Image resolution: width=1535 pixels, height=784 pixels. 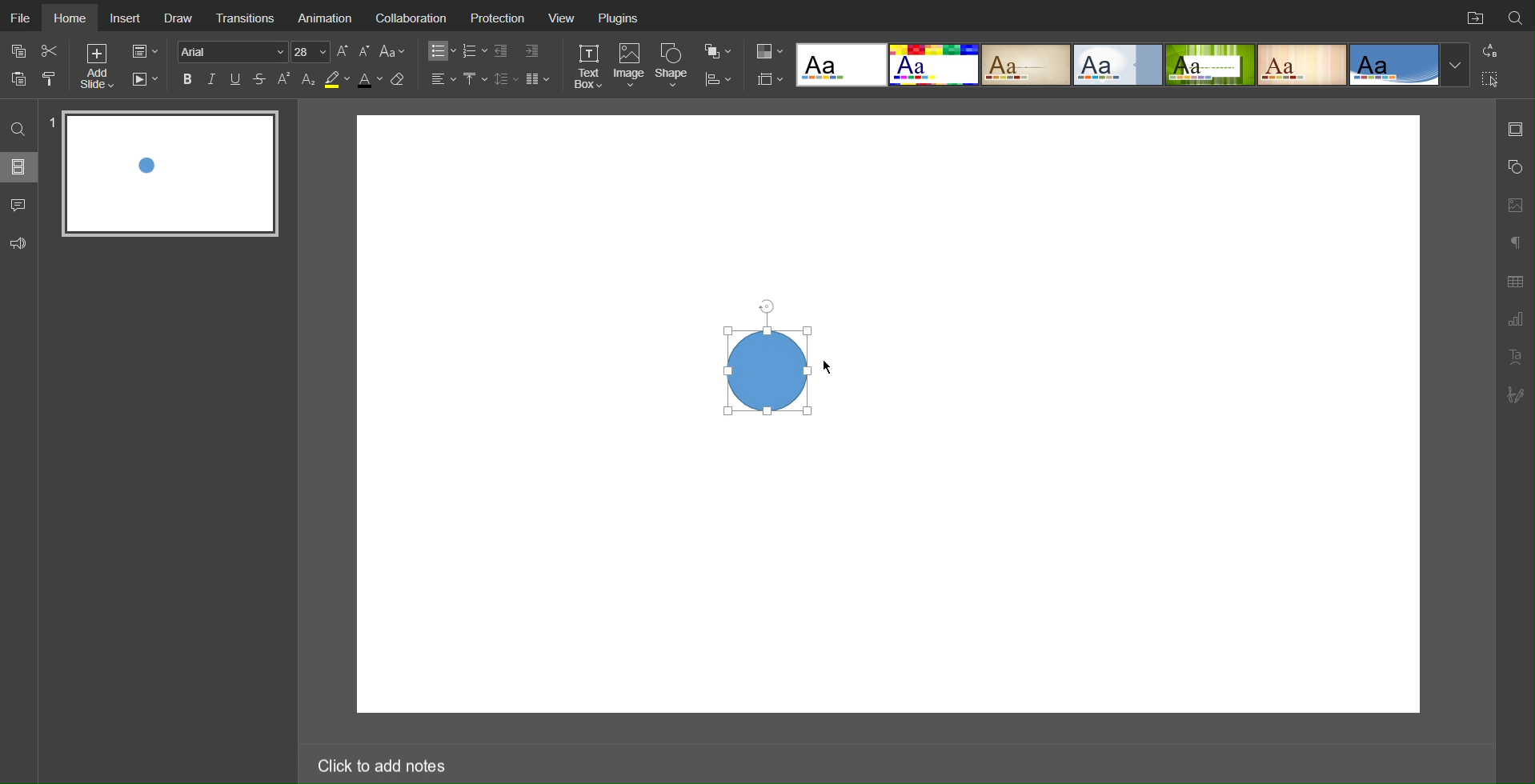 I want to click on Signature , so click(x=1517, y=395).